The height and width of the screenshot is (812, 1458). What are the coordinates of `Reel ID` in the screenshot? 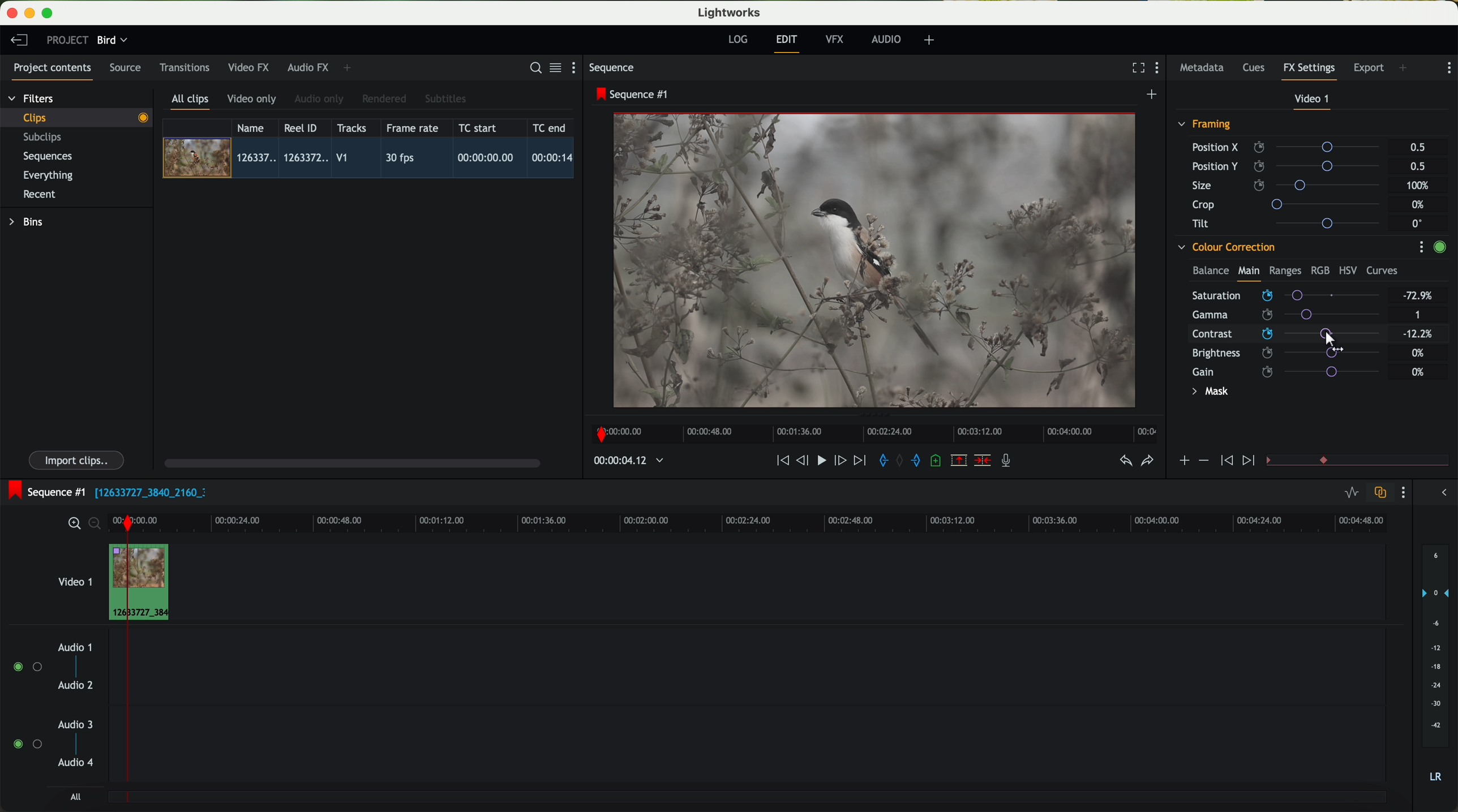 It's located at (303, 127).